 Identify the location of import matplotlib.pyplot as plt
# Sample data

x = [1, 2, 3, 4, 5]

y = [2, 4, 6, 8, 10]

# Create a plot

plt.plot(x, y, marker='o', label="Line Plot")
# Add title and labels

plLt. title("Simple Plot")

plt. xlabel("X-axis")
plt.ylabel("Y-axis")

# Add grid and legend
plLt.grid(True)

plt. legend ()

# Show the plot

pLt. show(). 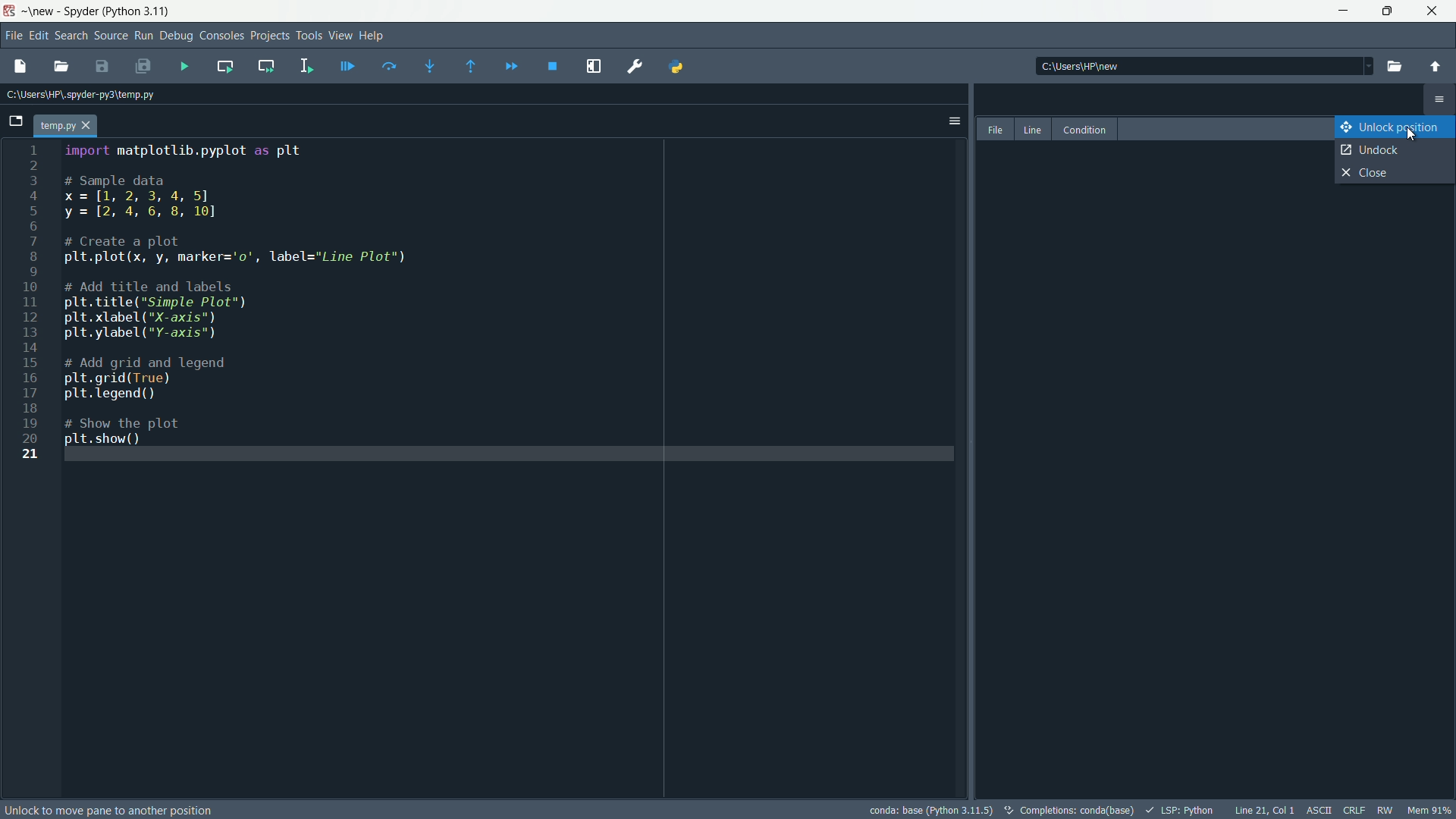
(246, 293).